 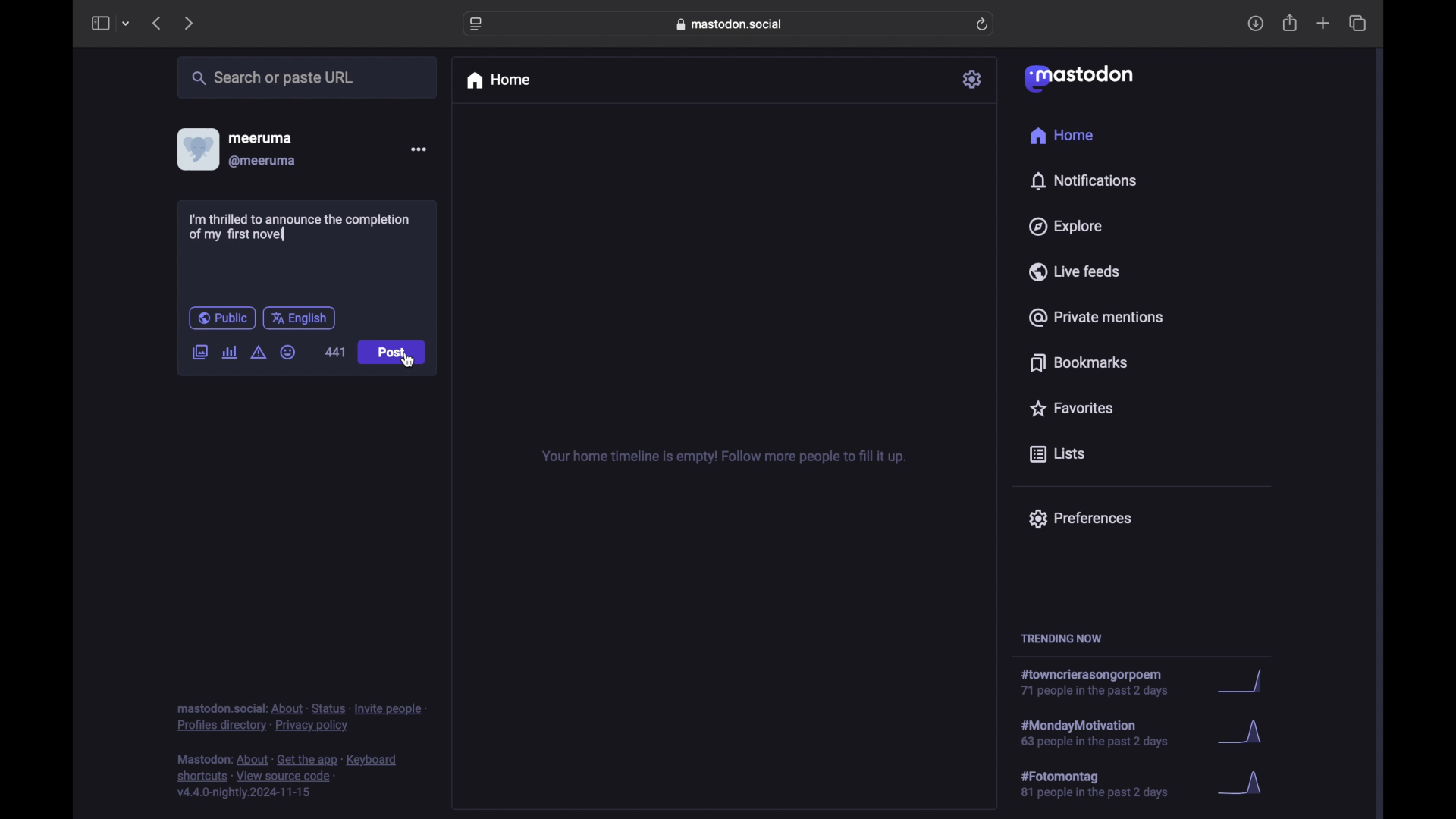 I want to click on more options, so click(x=418, y=149).